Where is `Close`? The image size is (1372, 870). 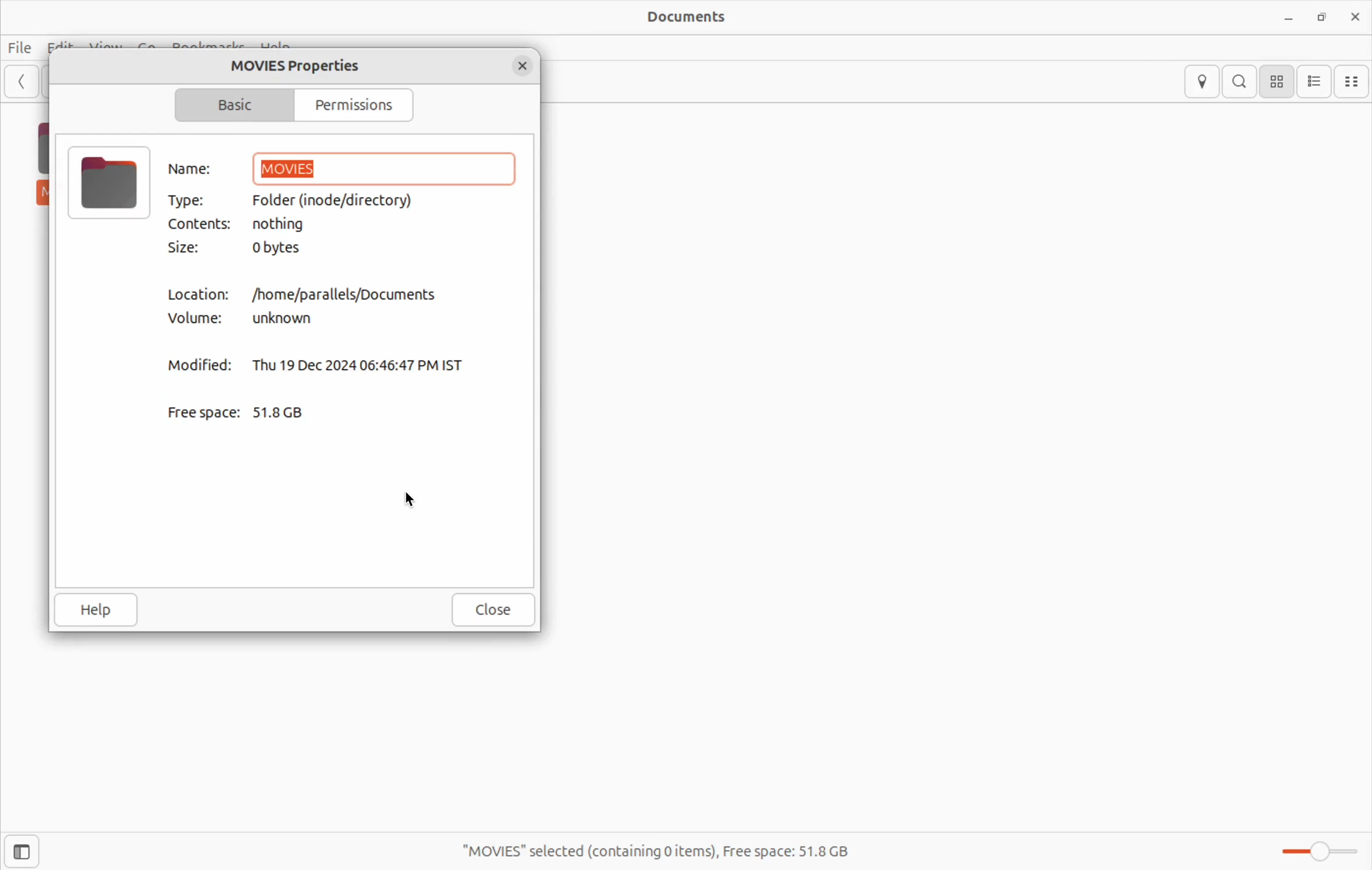 Close is located at coordinates (492, 609).